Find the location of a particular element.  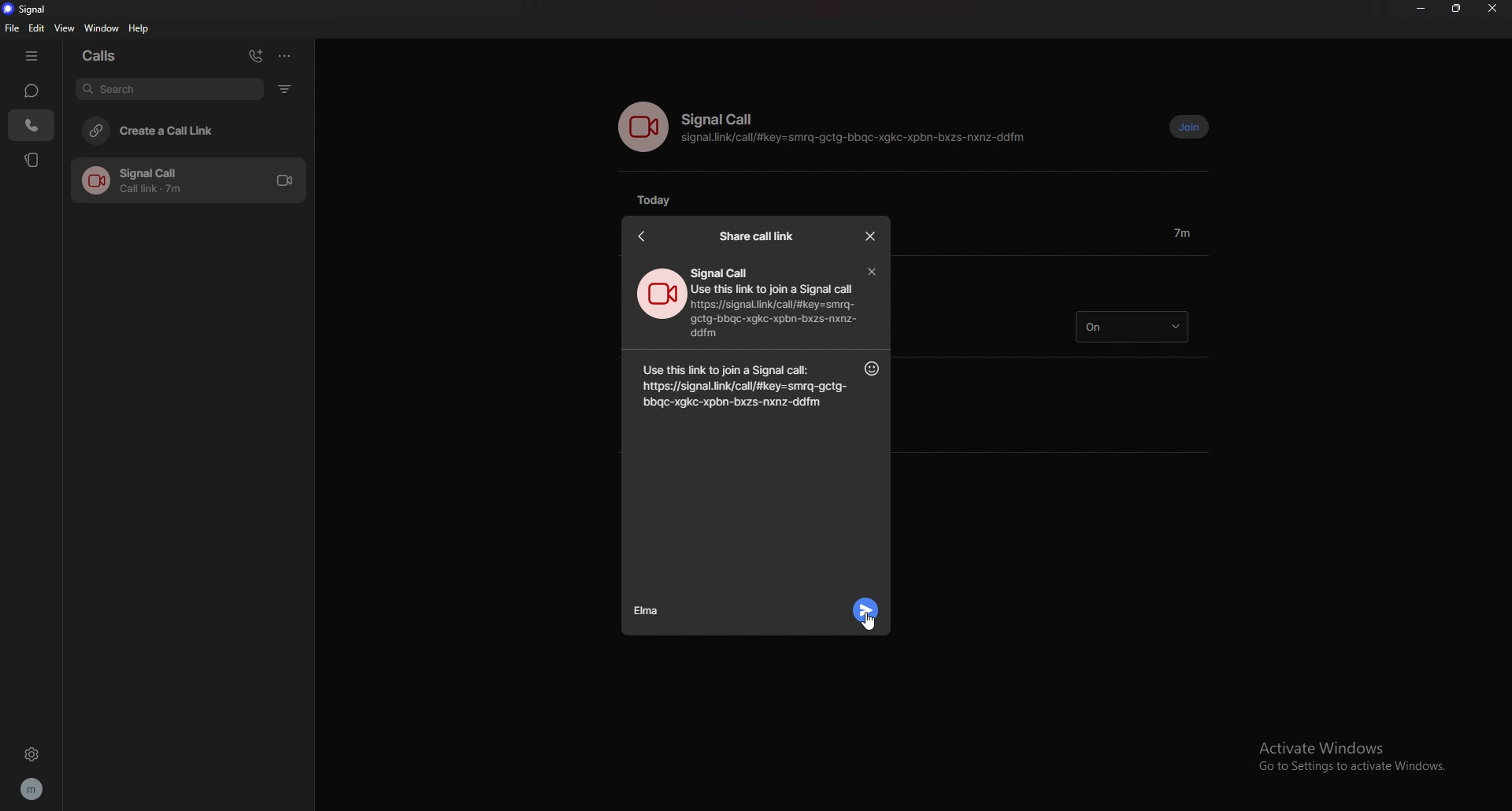

voice call is located at coordinates (643, 127).